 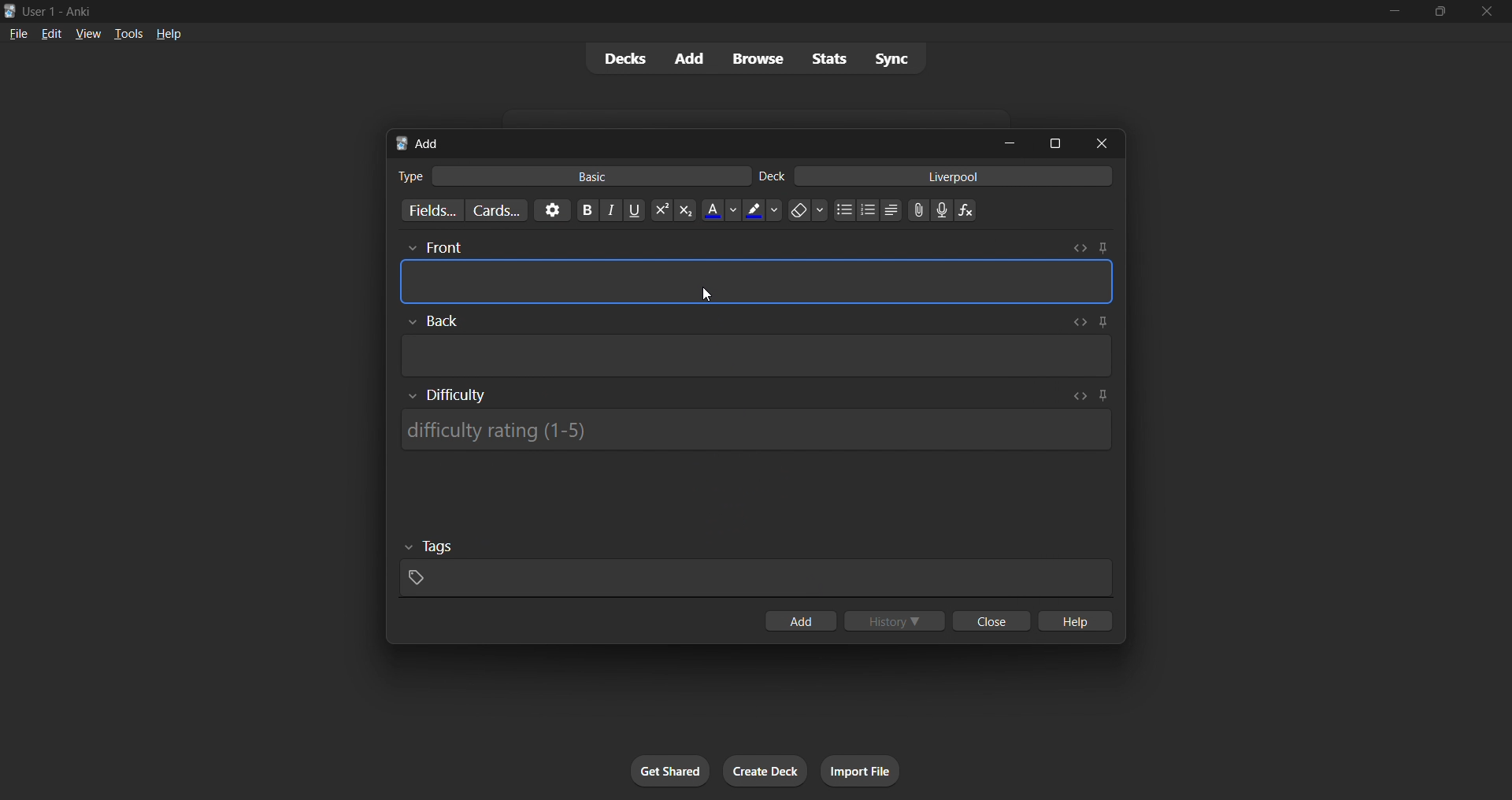 I want to click on close, so click(x=1102, y=143).